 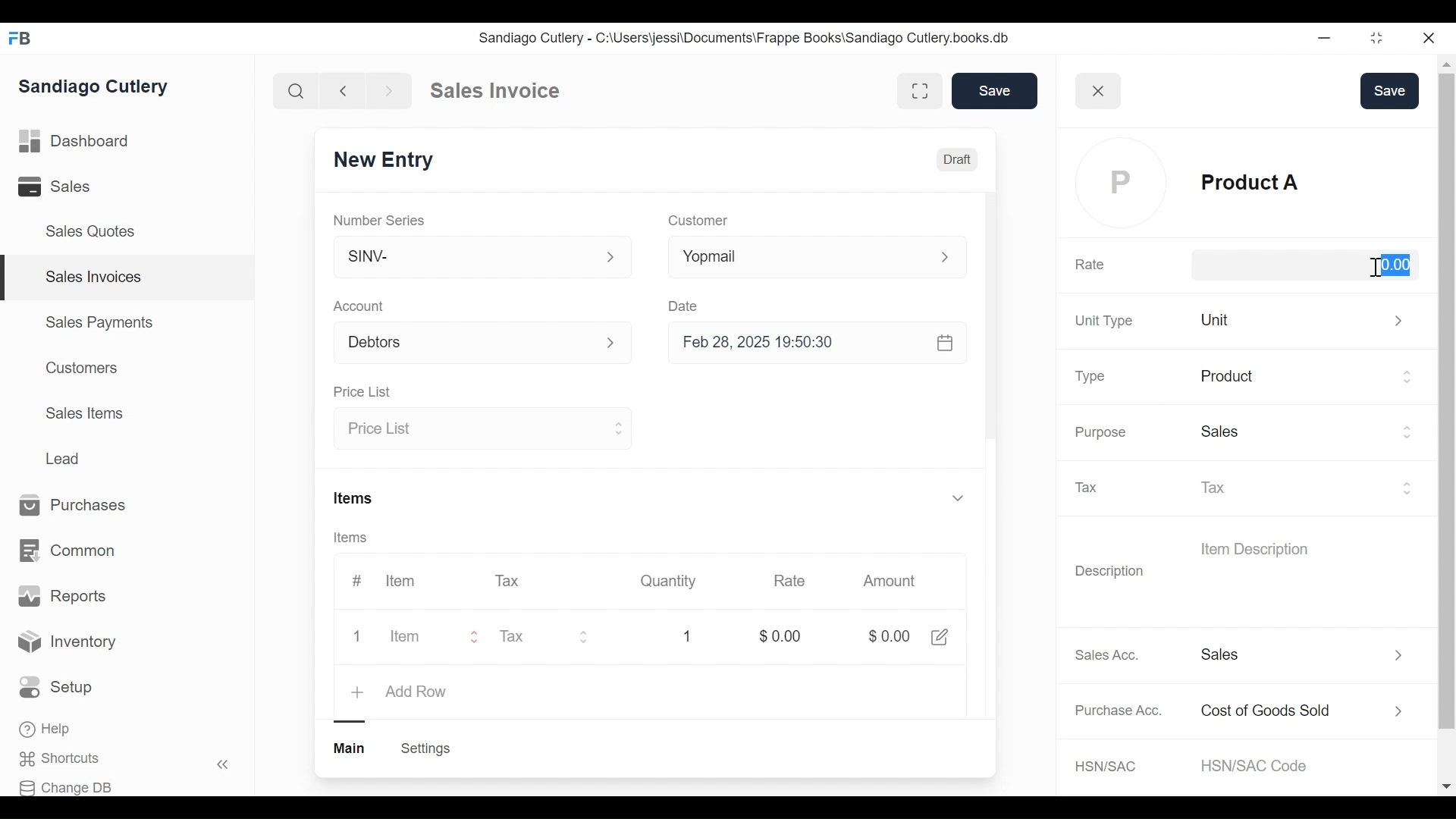 What do you see at coordinates (821, 257) in the screenshot?
I see `Yopmail` at bounding box center [821, 257].